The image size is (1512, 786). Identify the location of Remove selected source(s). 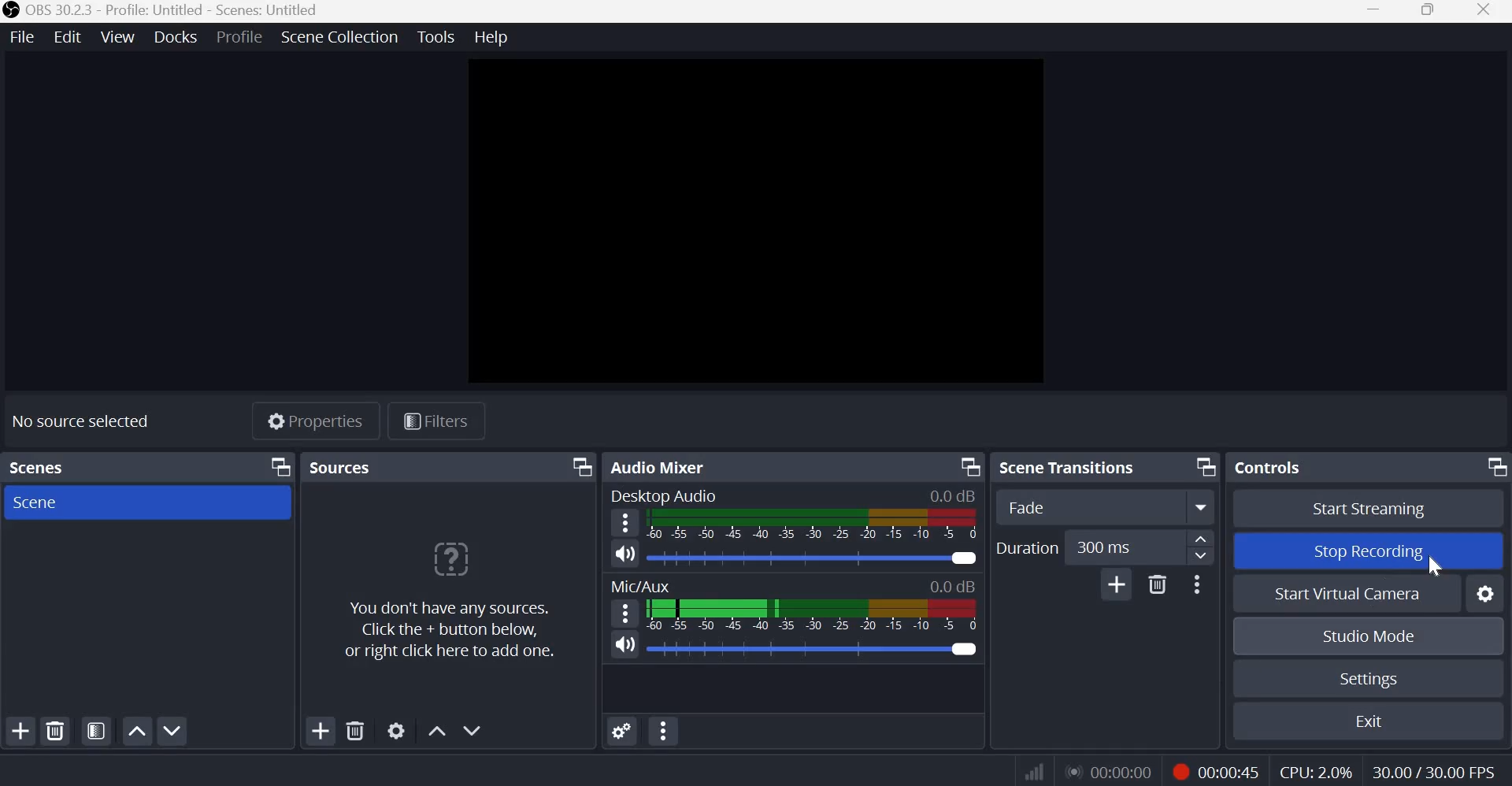
(354, 731).